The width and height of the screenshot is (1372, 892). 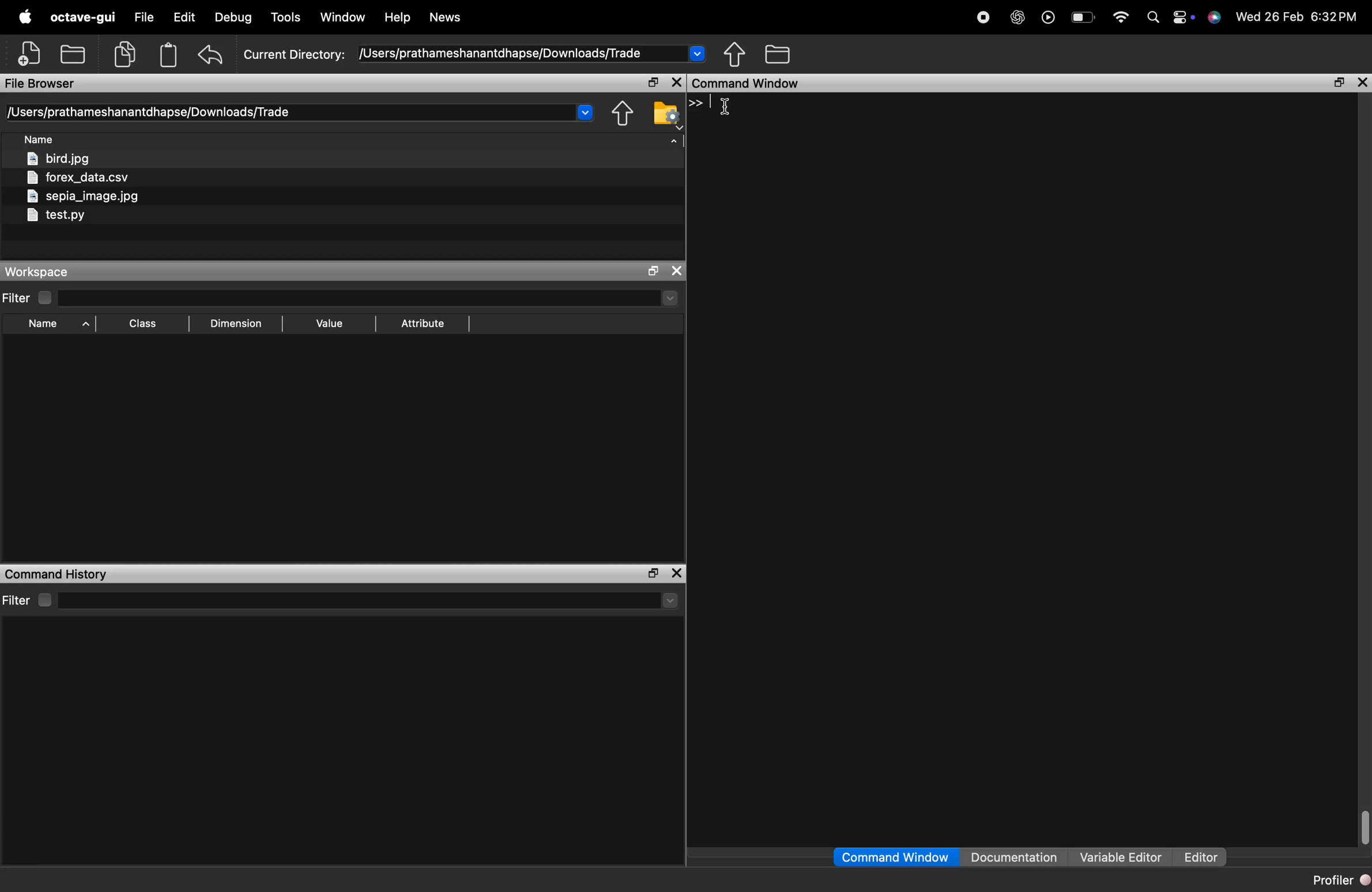 I want to click on filter, so click(x=32, y=298).